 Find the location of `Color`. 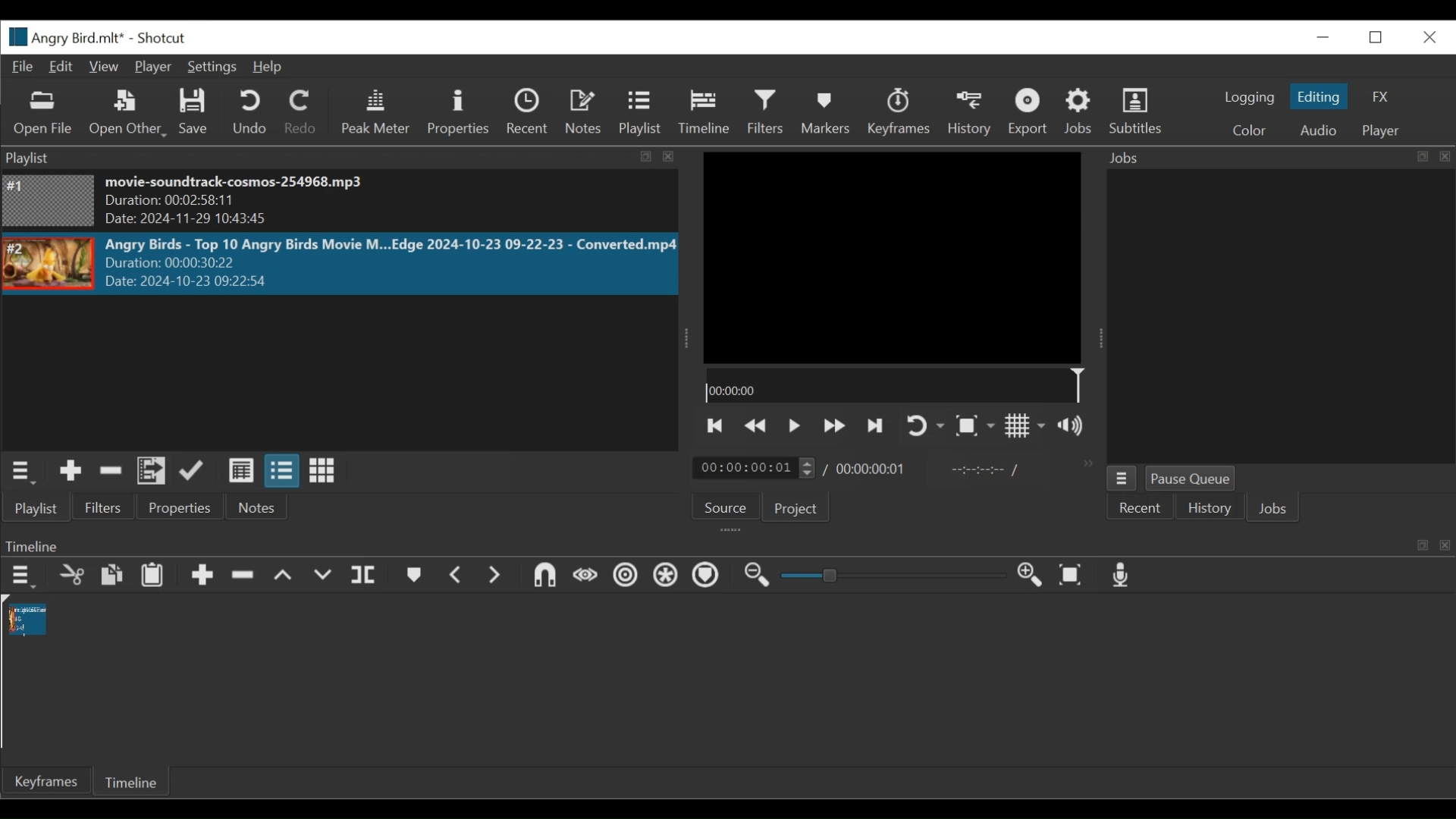

Color is located at coordinates (1250, 131).